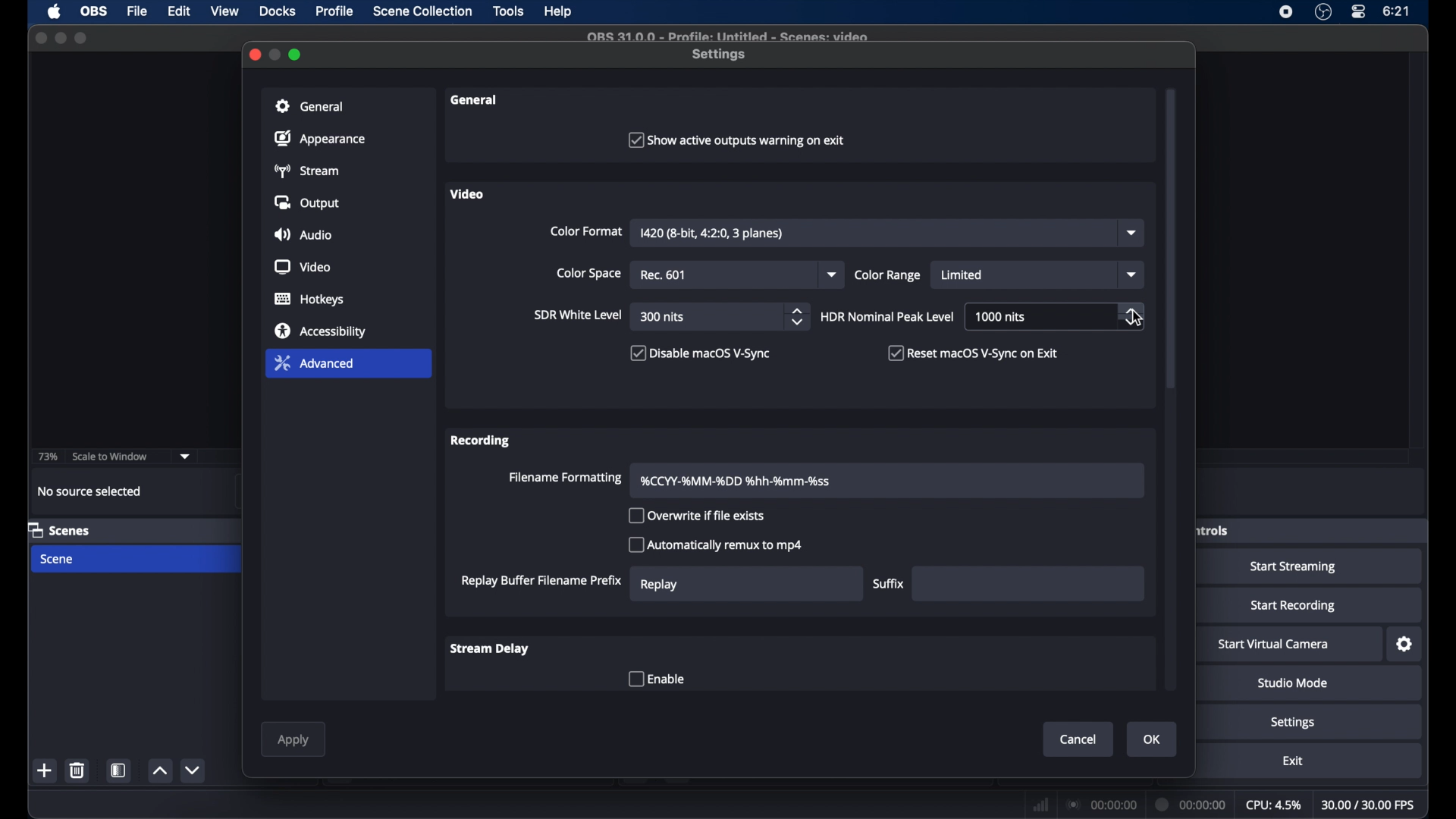 The width and height of the screenshot is (1456, 819). What do you see at coordinates (964, 275) in the screenshot?
I see `limited` at bounding box center [964, 275].